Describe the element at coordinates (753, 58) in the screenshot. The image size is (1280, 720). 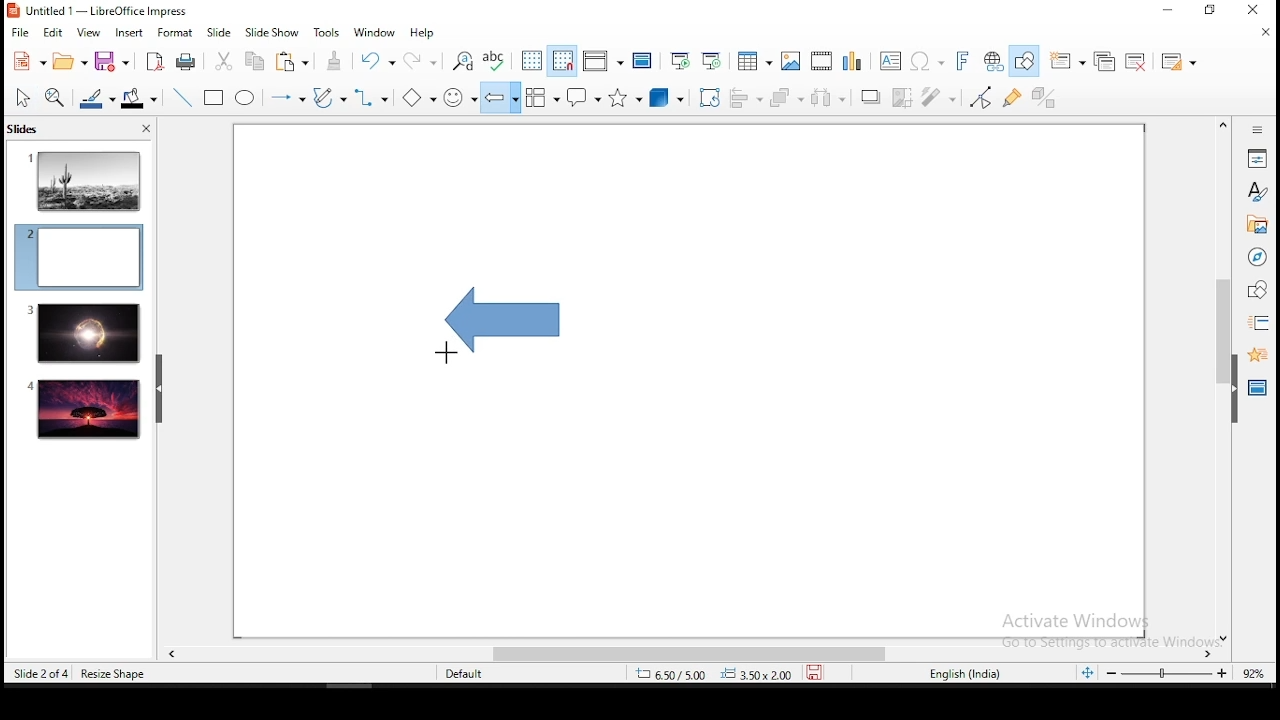
I see `tables` at that location.